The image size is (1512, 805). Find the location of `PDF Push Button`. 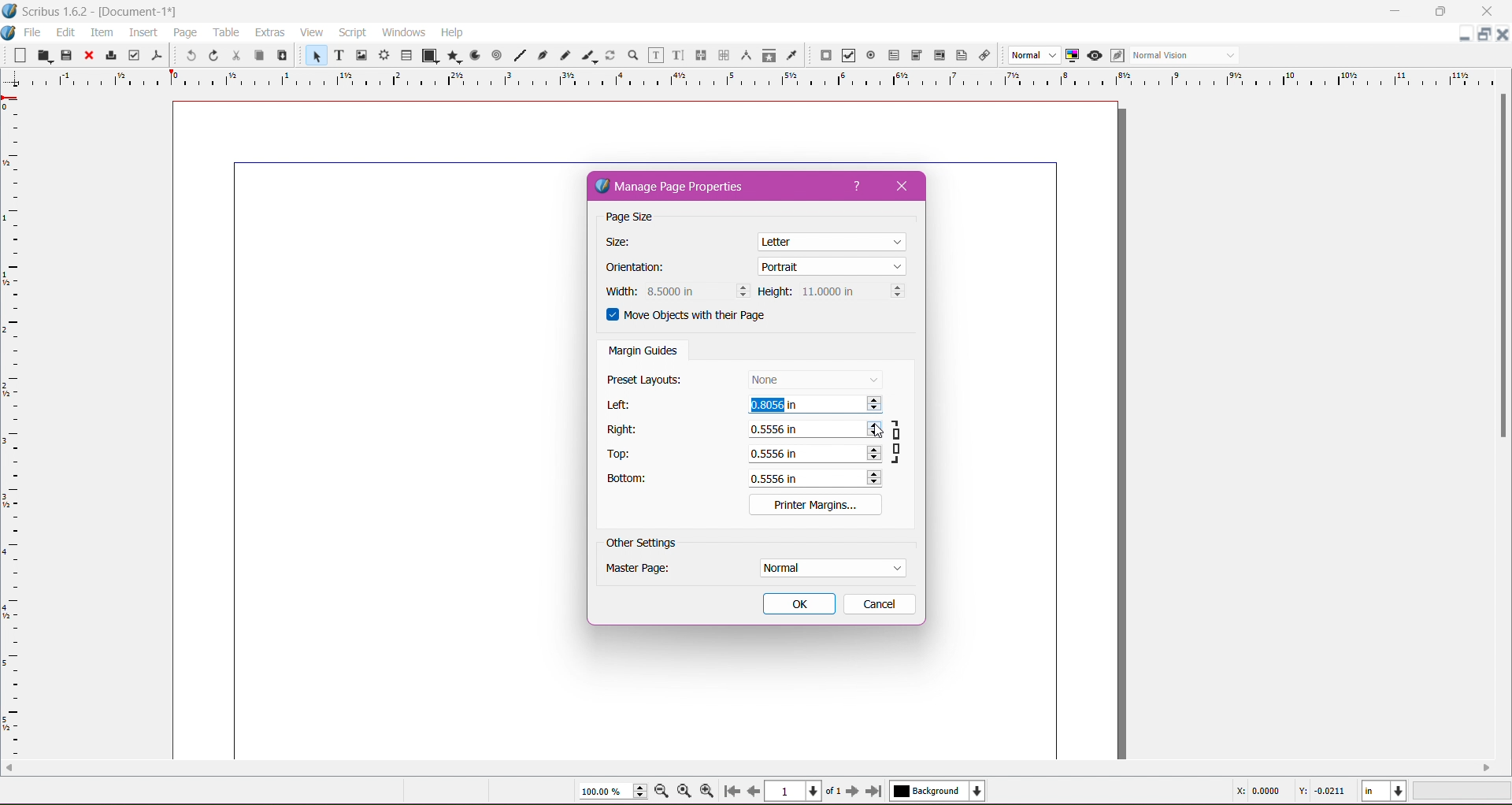

PDF Push Button is located at coordinates (825, 56).